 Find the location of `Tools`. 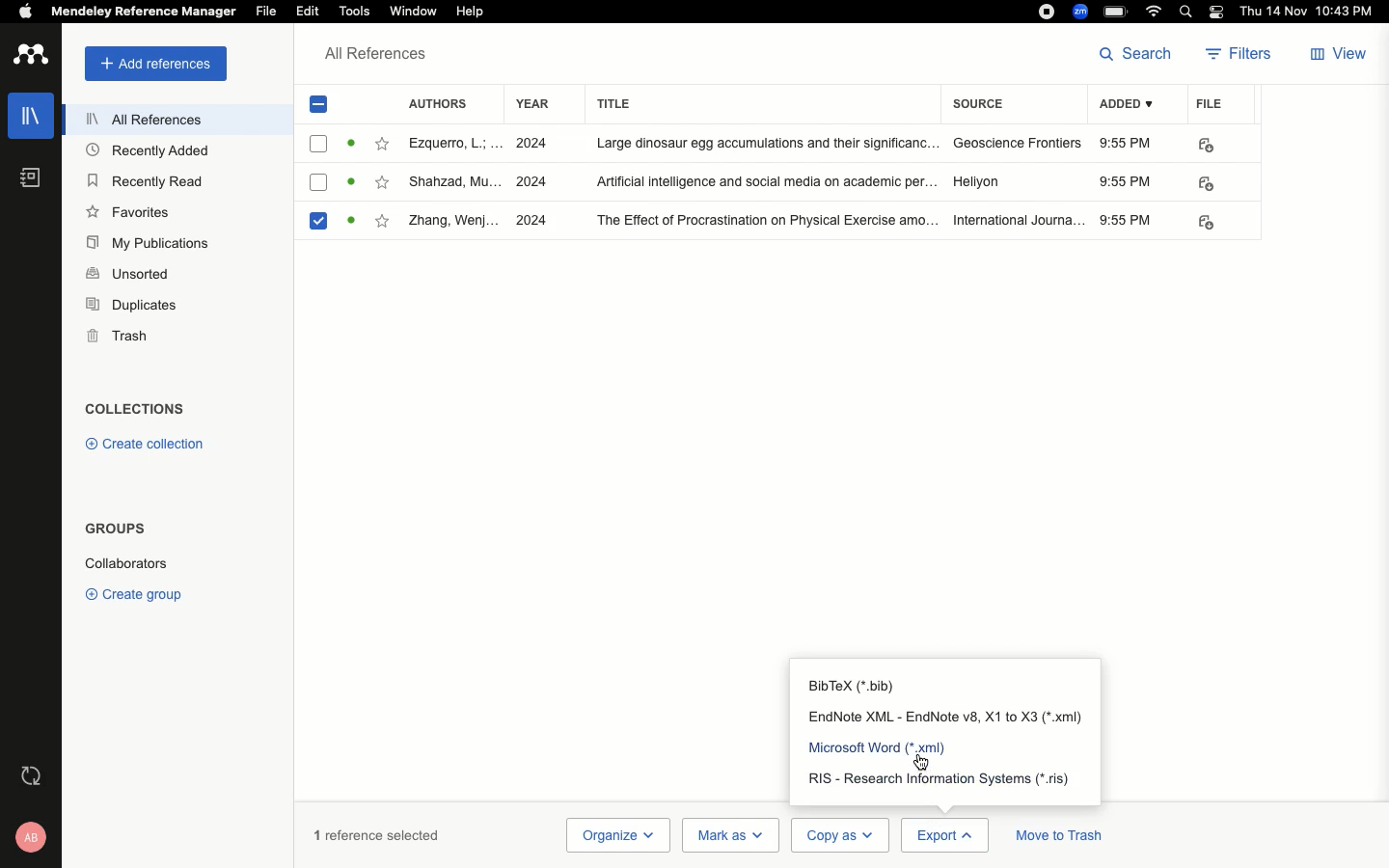

Tools is located at coordinates (352, 11).